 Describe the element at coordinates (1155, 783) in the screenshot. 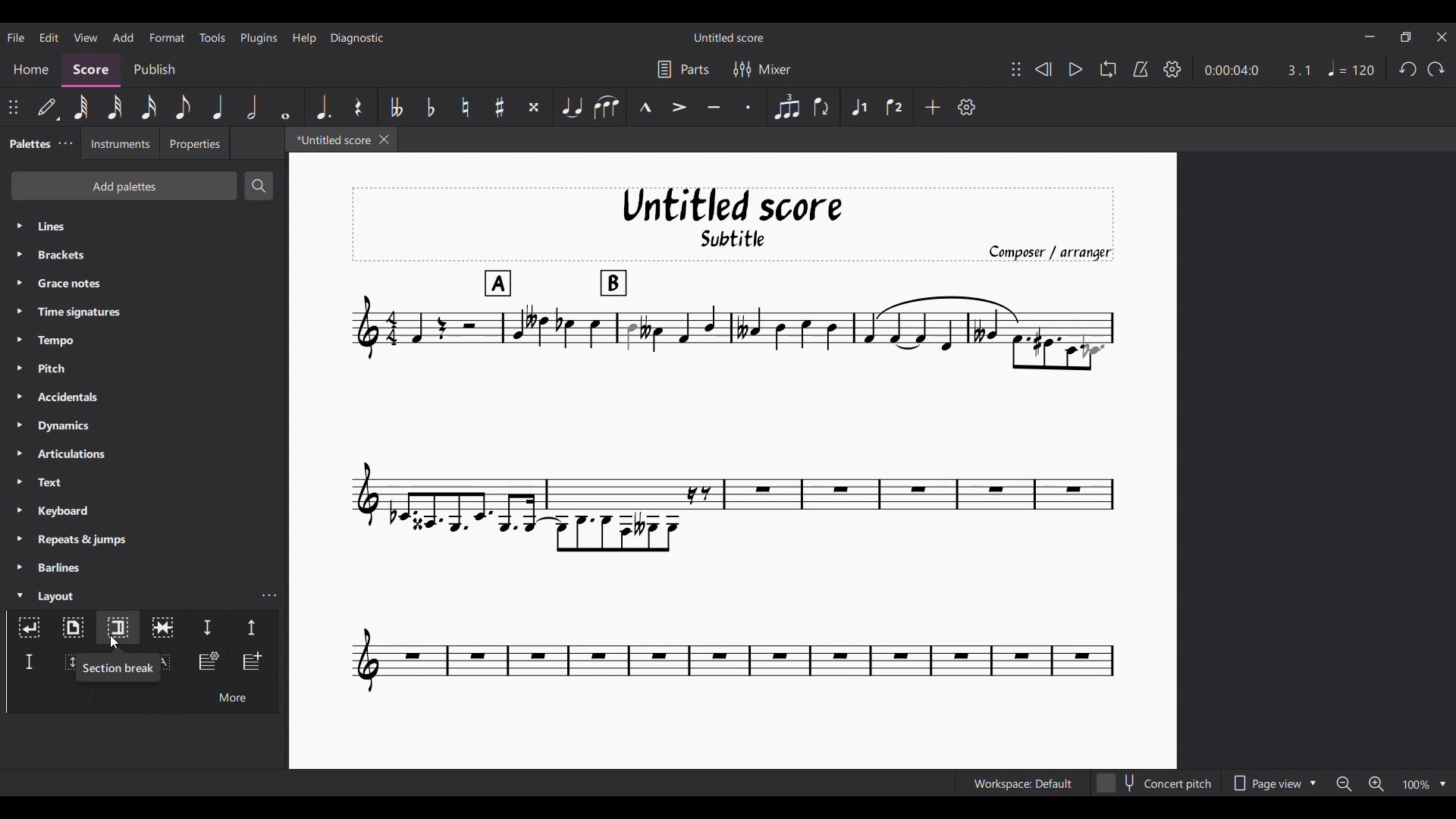

I see `Concert pitch toggle` at that location.